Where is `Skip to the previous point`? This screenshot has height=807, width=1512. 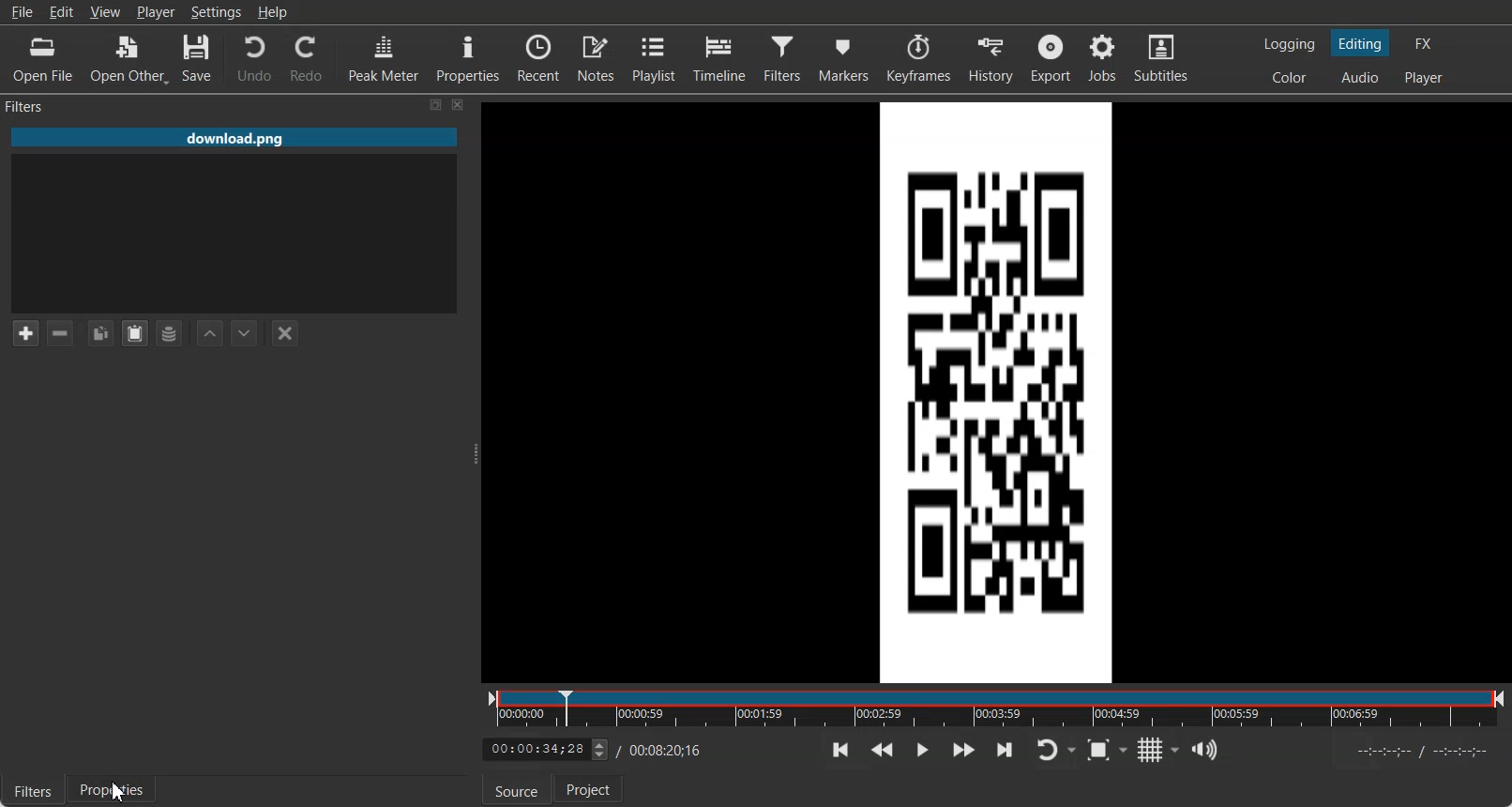
Skip to the previous point is located at coordinates (840, 750).